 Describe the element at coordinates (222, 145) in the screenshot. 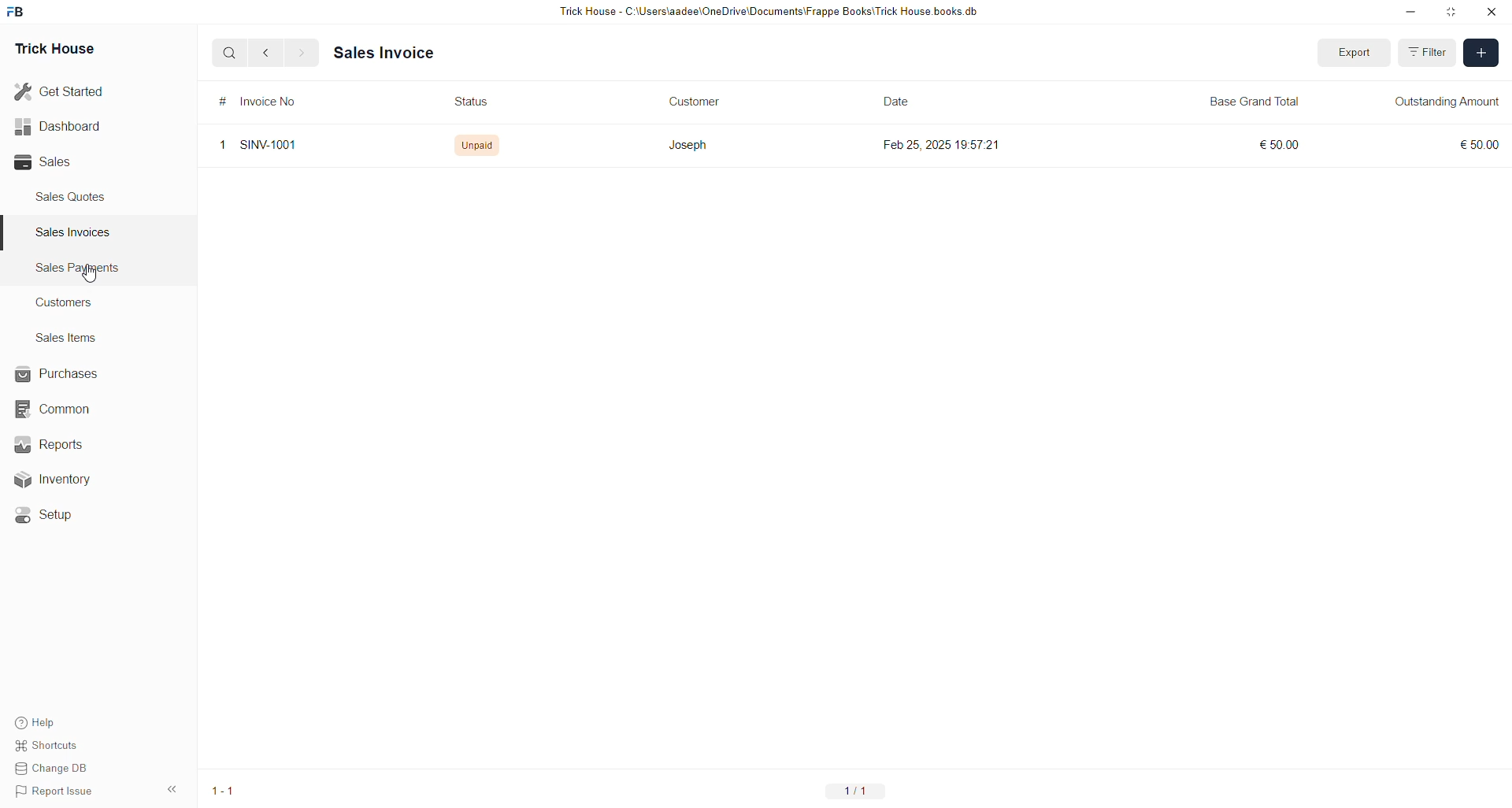

I see `1` at that location.